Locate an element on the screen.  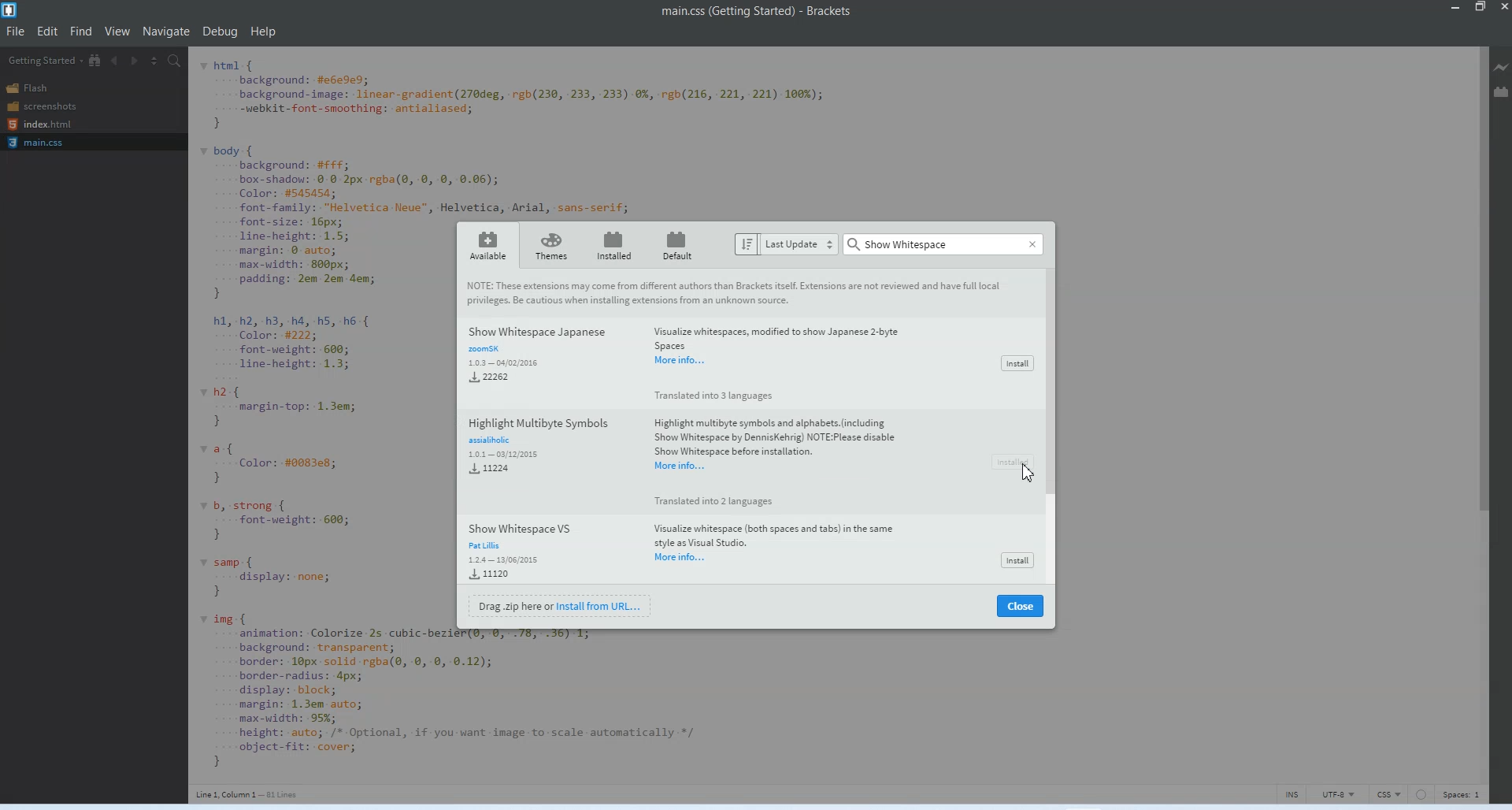
Minimize is located at coordinates (1456, 8).